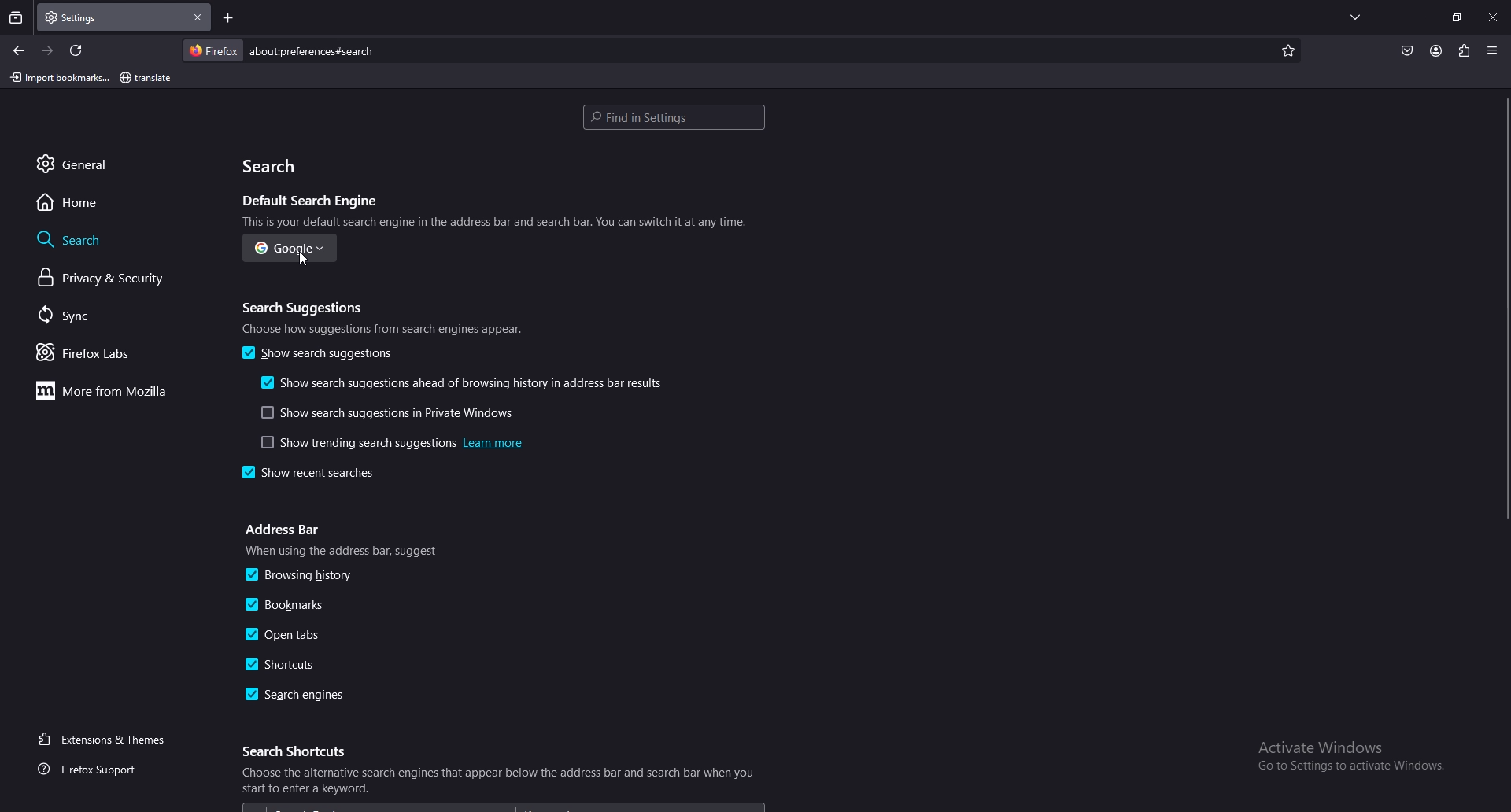  I want to click on extensions and themes, so click(107, 740).